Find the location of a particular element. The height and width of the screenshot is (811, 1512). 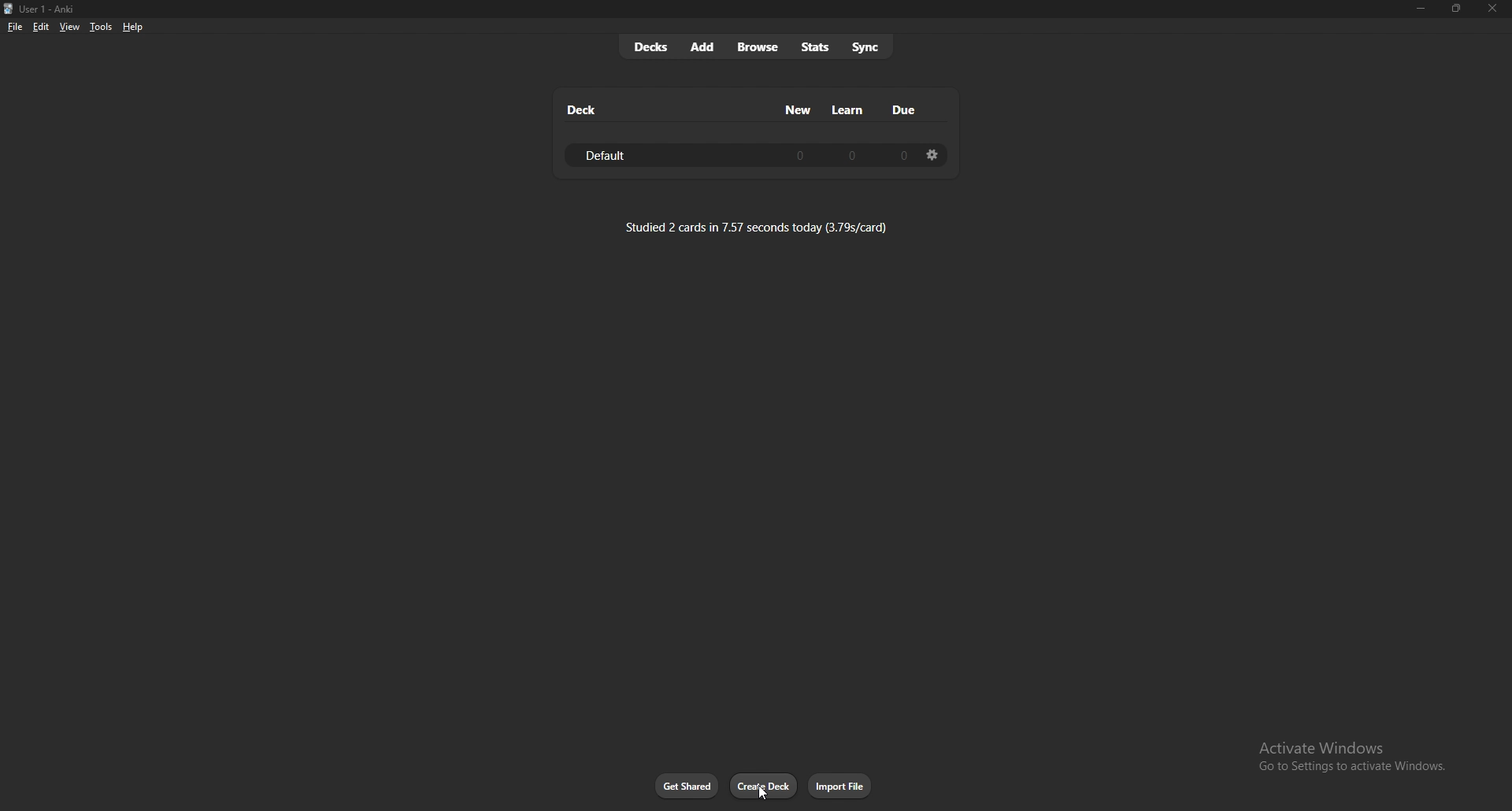

import file is located at coordinates (841, 786).